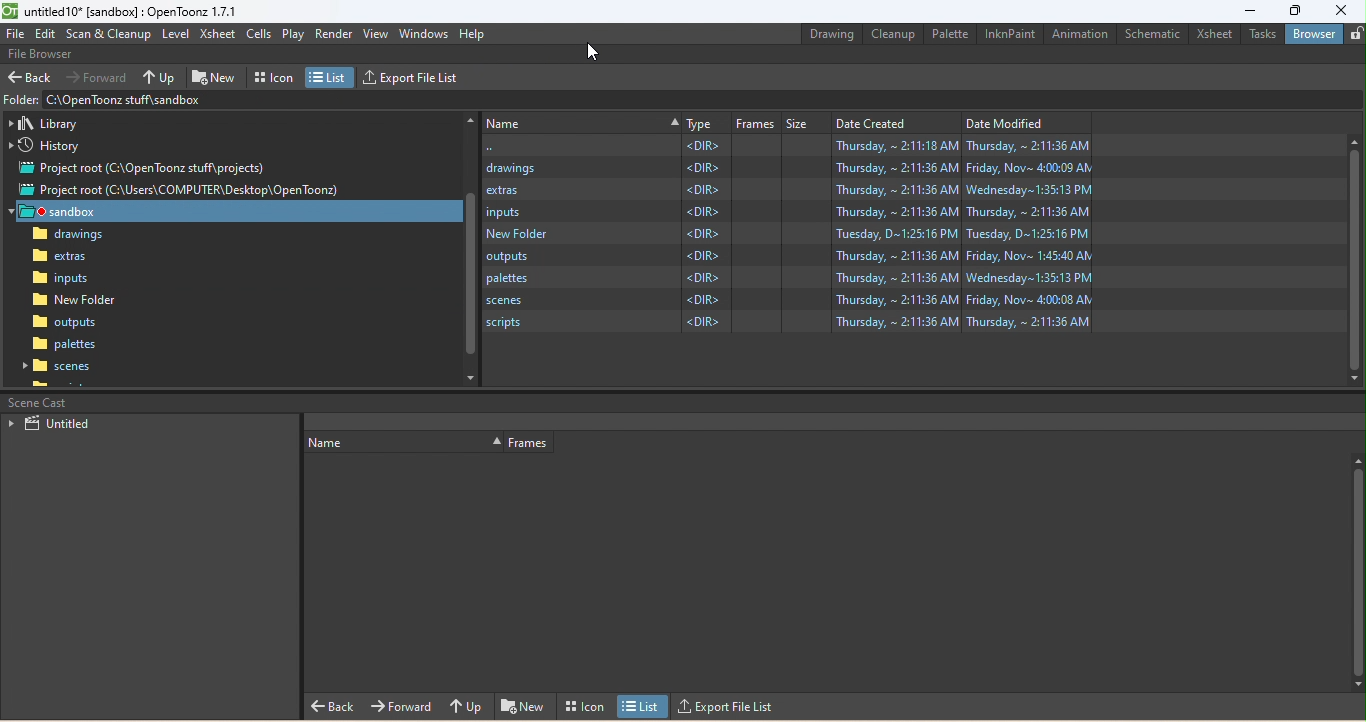 The height and width of the screenshot is (722, 1366). What do you see at coordinates (1295, 10) in the screenshot?
I see `Maximize` at bounding box center [1295, 10].